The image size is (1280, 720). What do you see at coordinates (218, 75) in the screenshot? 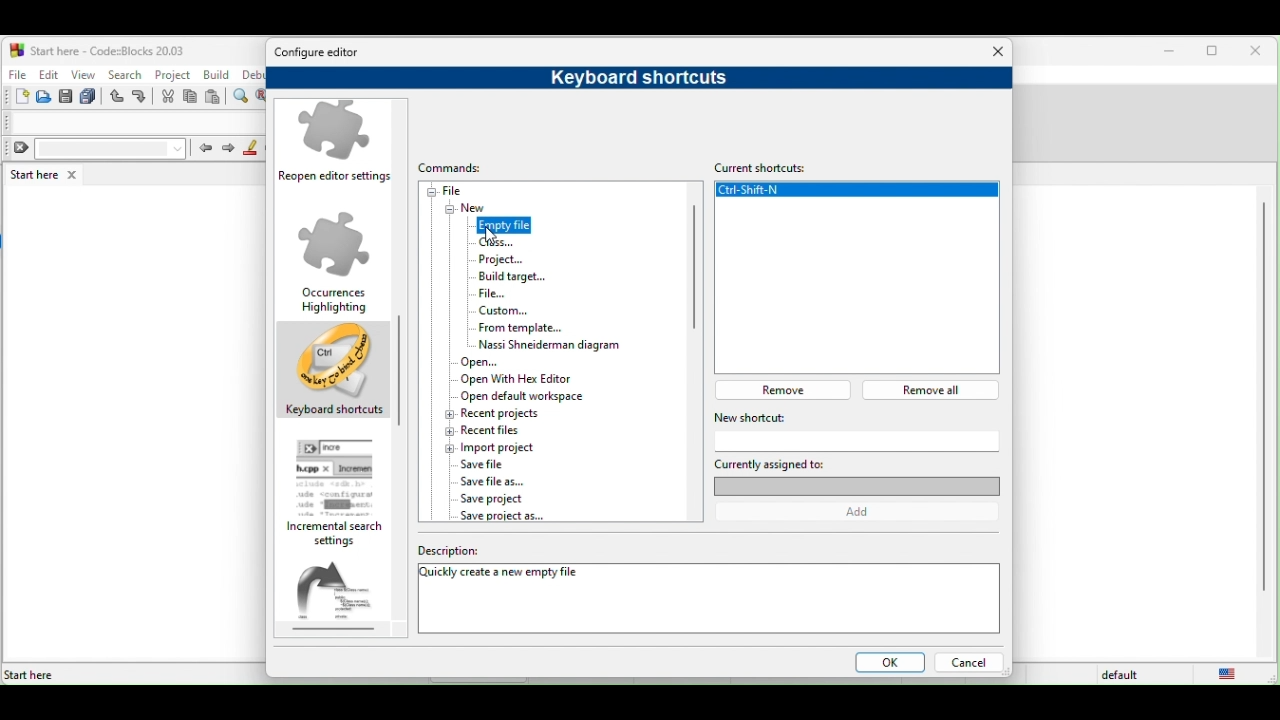
I see `build` at bounding box center [218, 75].